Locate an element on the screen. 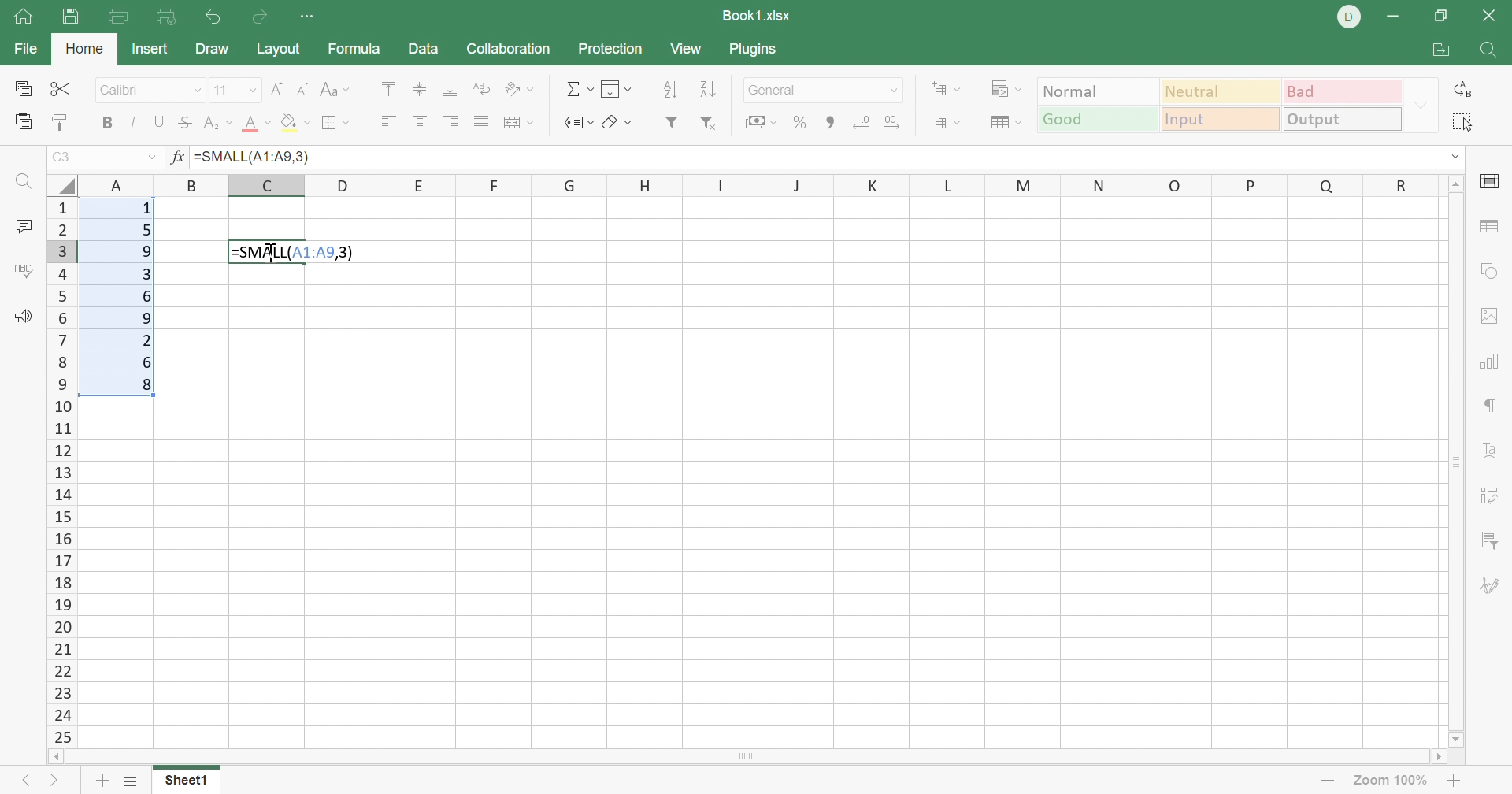  Paragraph settings is located at coordinates (1490, 410).